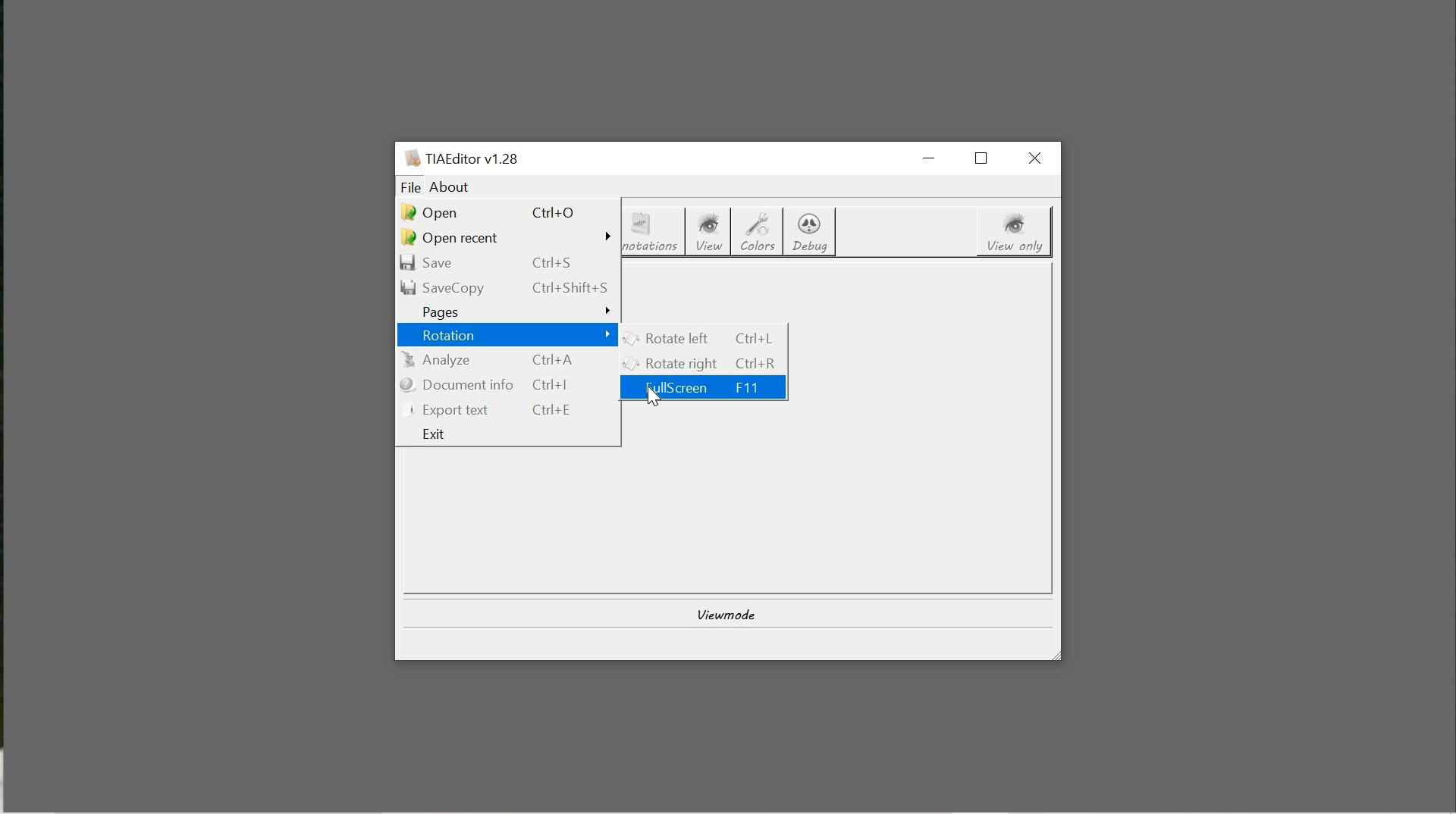 Image resolution: width=1456 pixels, height=814 pixels. What do you see at coordinates (705, 363) in the screenshot?
I see `rotate right` at bounding box center [705, 363].